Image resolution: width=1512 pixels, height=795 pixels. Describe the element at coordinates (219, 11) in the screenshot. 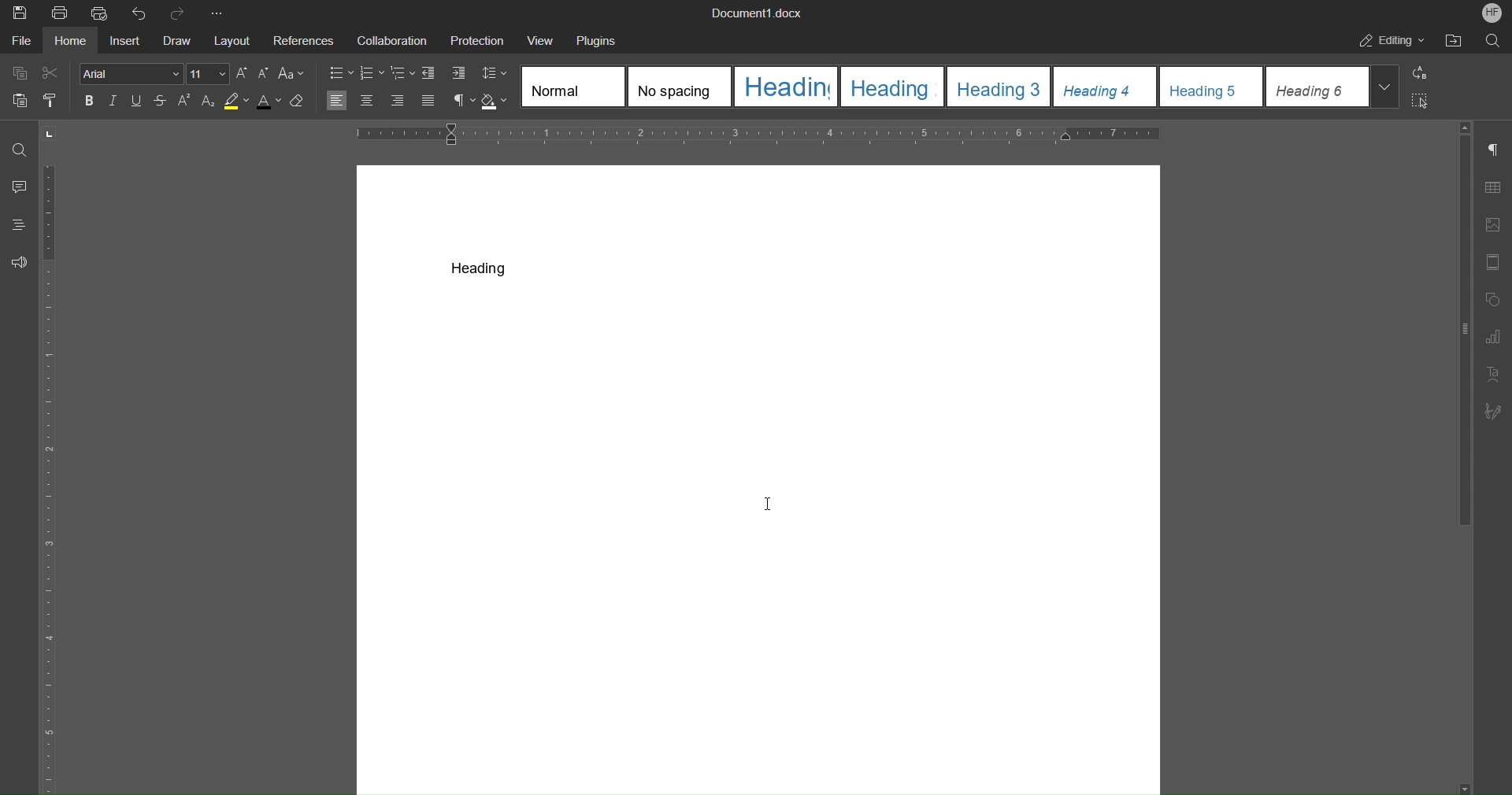

I see `More` at that location.